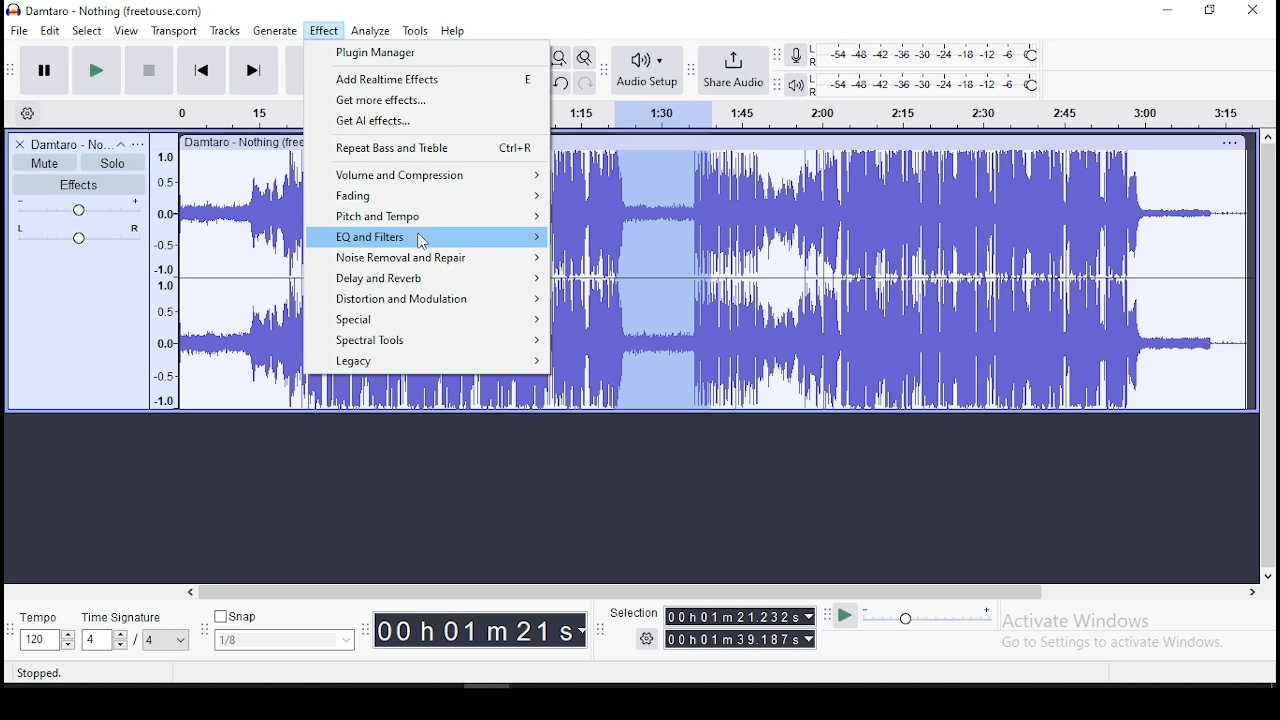  I want to click on 00 h 01 m 39.187s, so click(733, 639).